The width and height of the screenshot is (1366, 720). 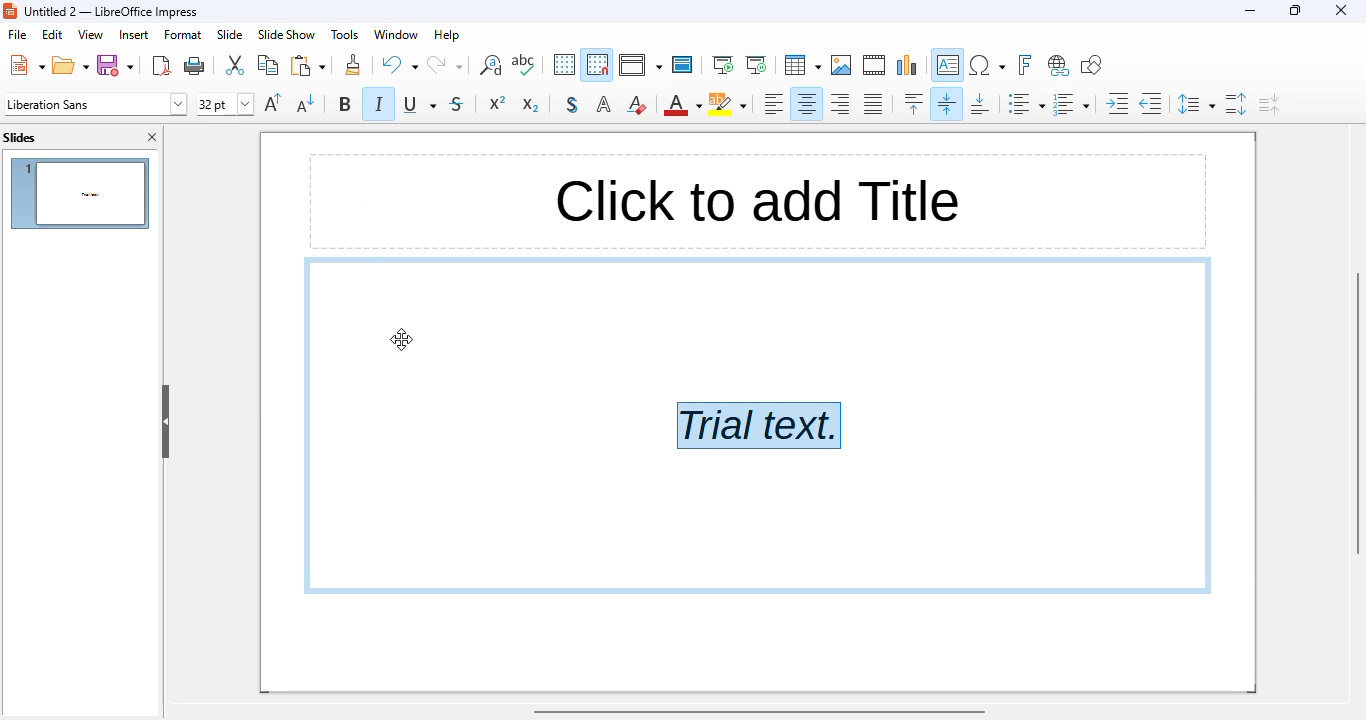 I want to click on save, so click(x=116, y=65).